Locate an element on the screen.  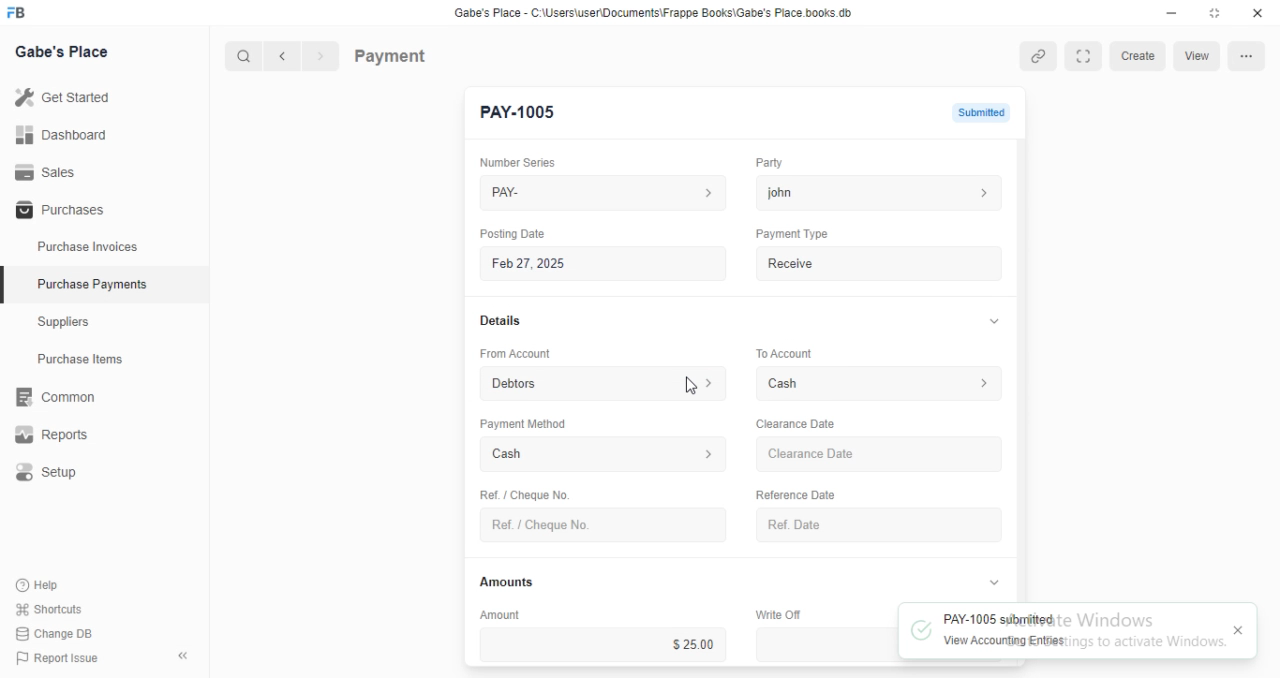
fit to window is located at coordinates (1085, 55).